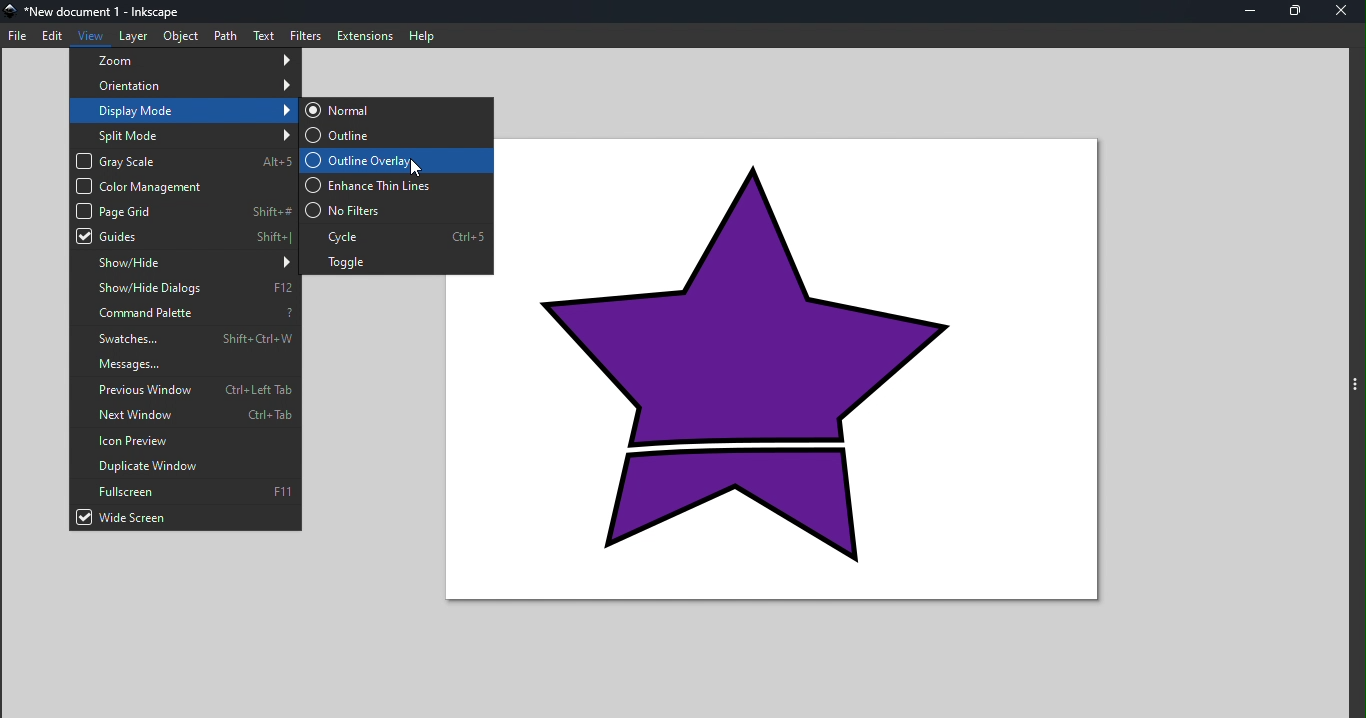 This screenshot has height=718, width=1366. What do you see at coordinates (185, 59) in the screenshot?
I see `Zoom` at bounding box center [185, 59].